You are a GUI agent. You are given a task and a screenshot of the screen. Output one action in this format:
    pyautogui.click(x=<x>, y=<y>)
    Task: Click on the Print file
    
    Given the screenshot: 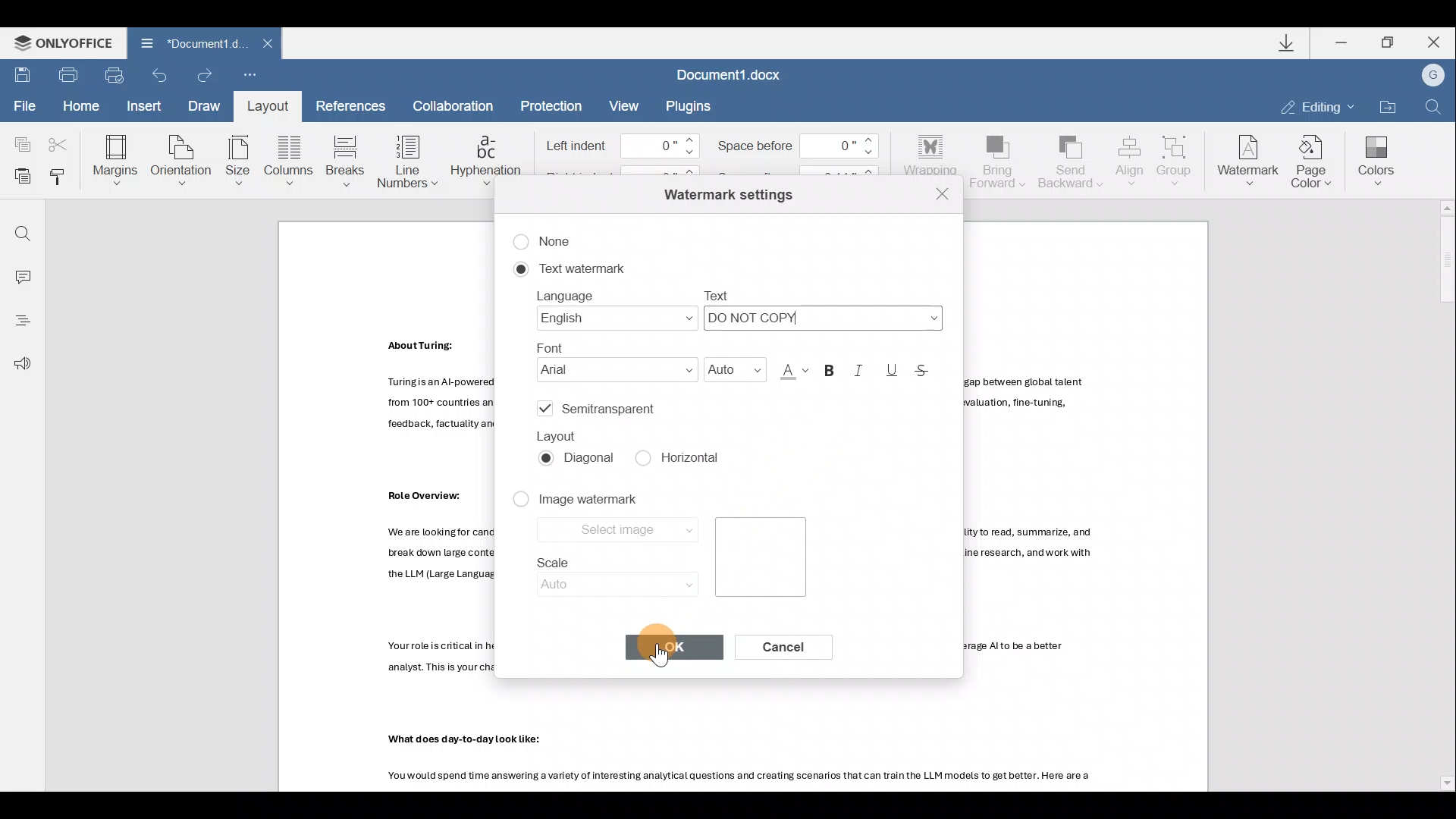 What is the action you would take?
    pyautogui.click(x=64, y=76)
    